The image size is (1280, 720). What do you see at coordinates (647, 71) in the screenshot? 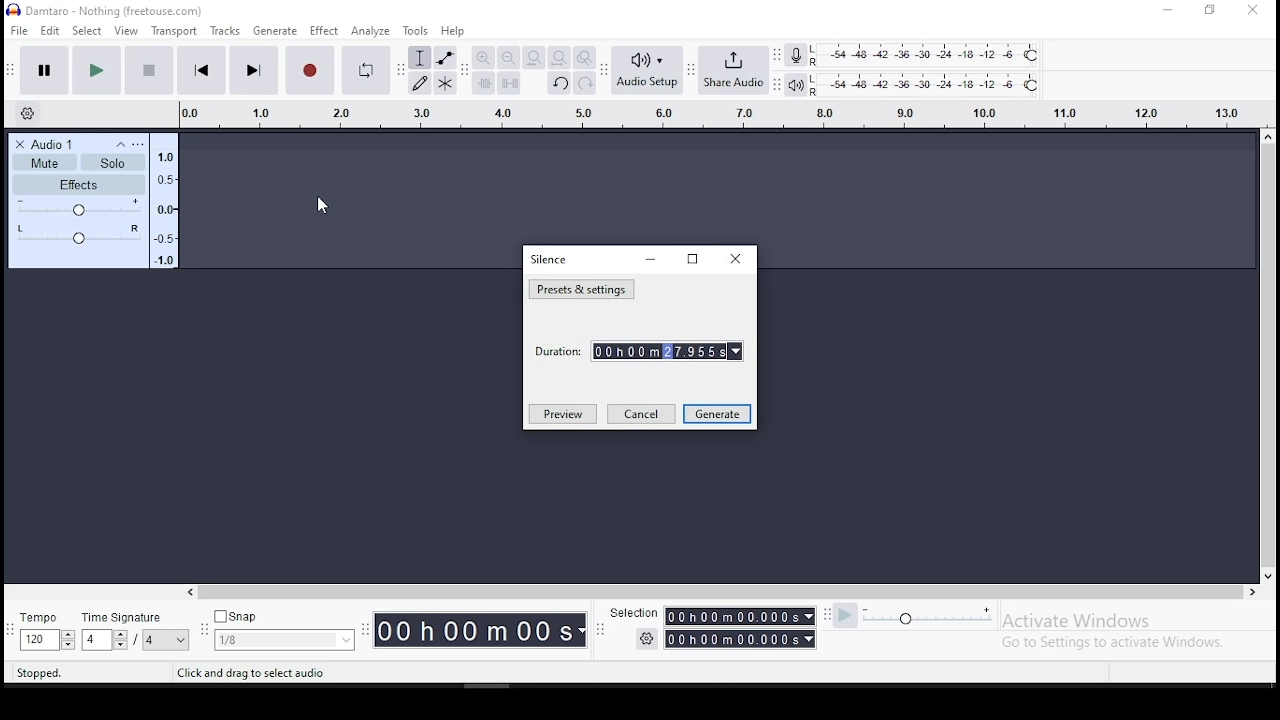
I see `audio setup` at bounding box center [647, 71].